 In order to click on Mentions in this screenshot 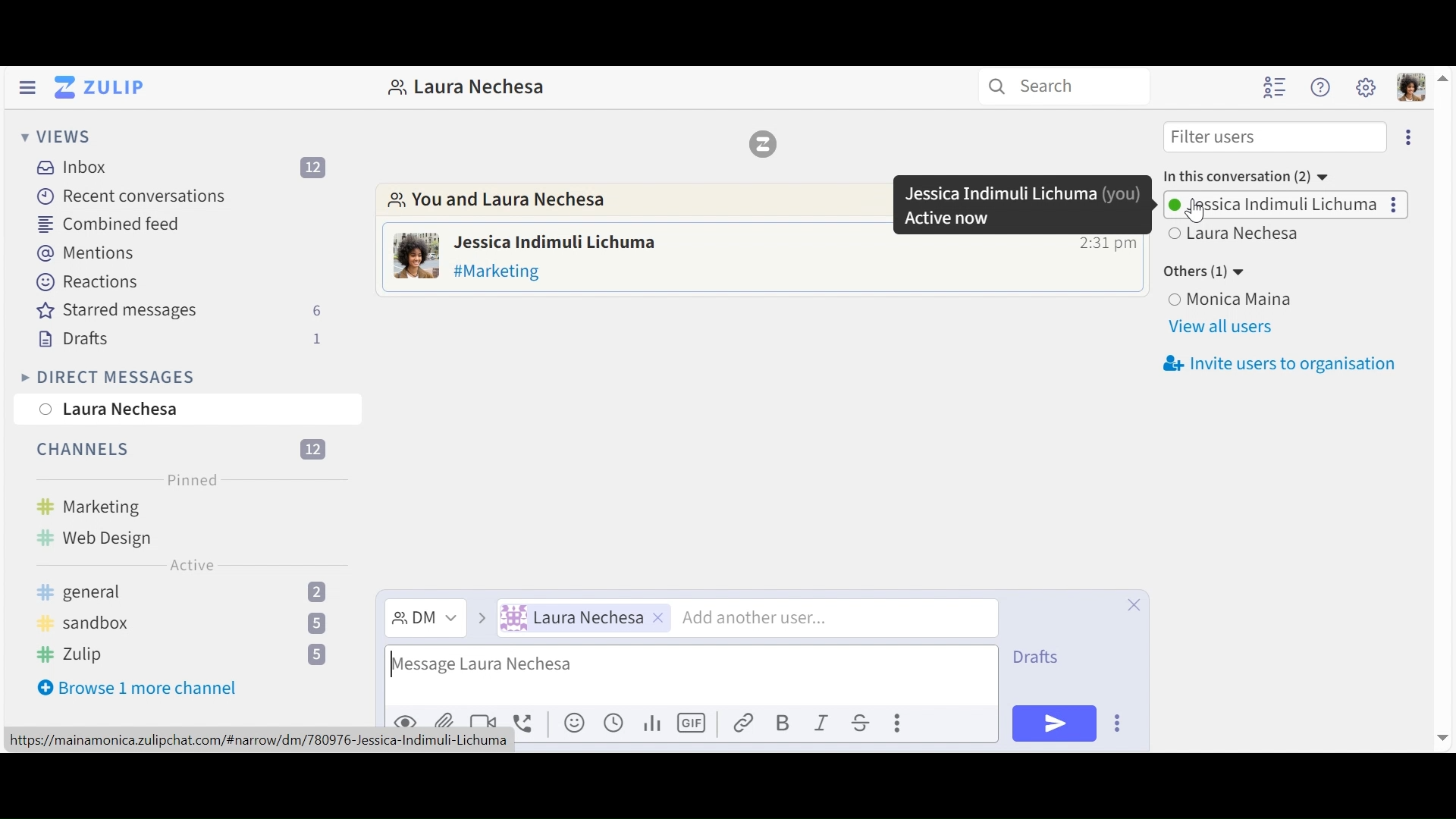, I will do `click(83, 252)`.